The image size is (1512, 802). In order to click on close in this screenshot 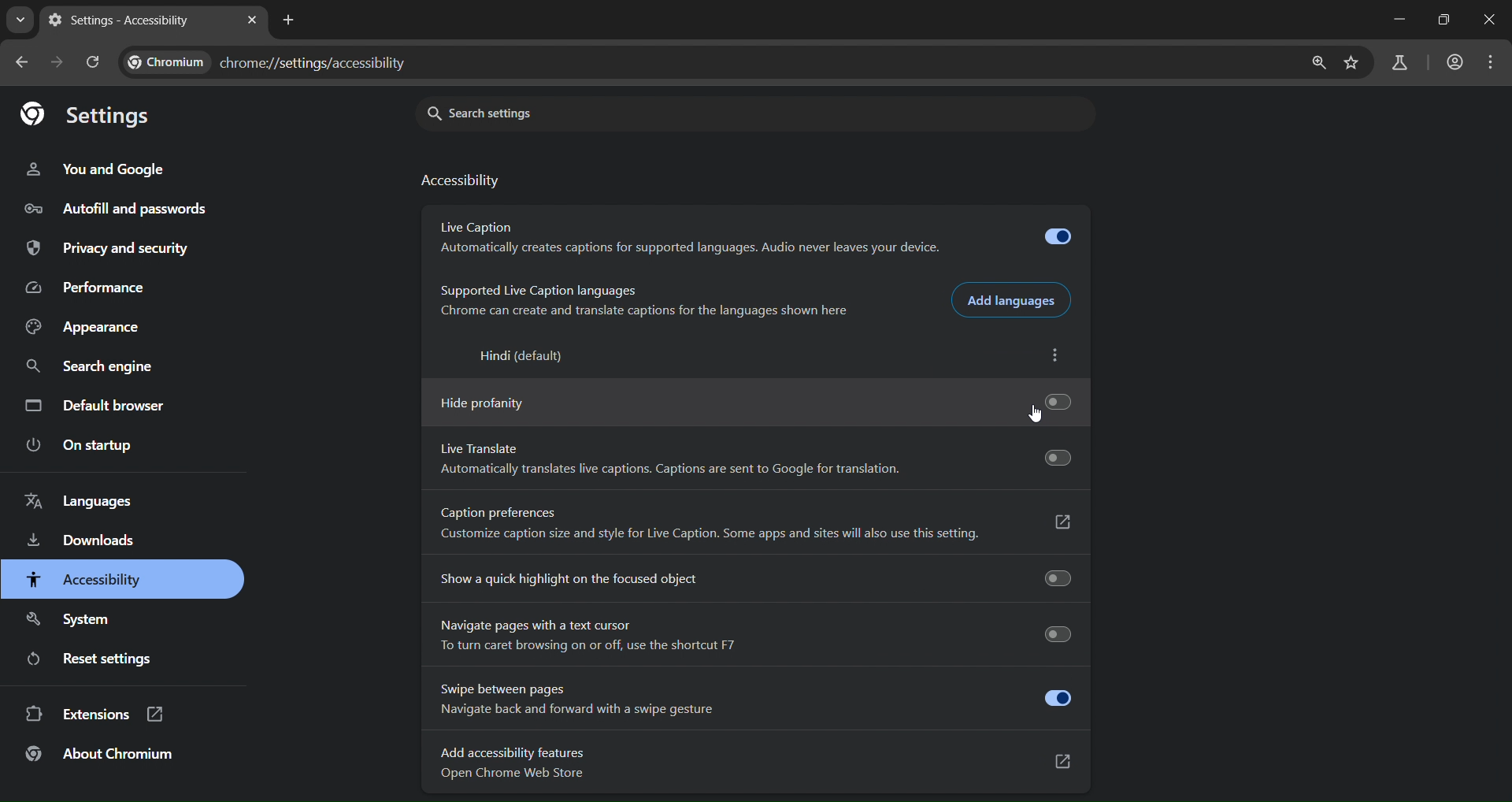, I will do `click(1492, 22)`.